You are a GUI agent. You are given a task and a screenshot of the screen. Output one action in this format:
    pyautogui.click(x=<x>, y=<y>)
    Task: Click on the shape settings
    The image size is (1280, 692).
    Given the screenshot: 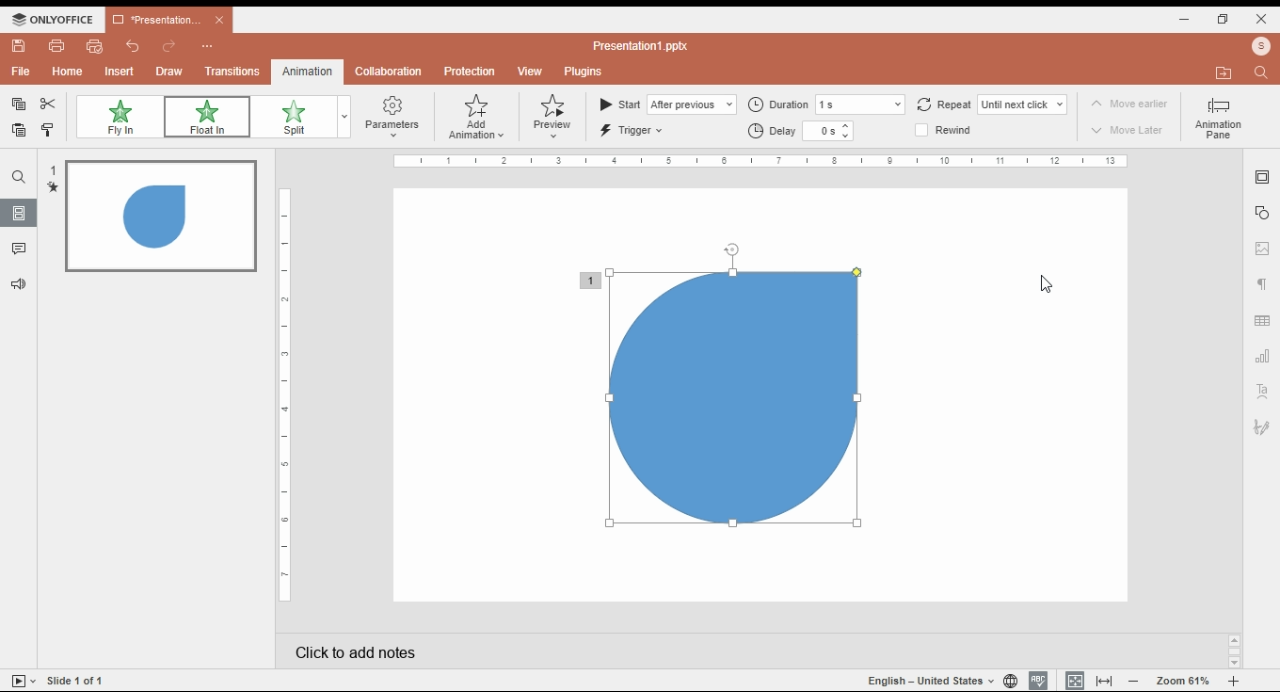 What is the action you would take?
    pyautogui.click(x=1261, y=215)
    